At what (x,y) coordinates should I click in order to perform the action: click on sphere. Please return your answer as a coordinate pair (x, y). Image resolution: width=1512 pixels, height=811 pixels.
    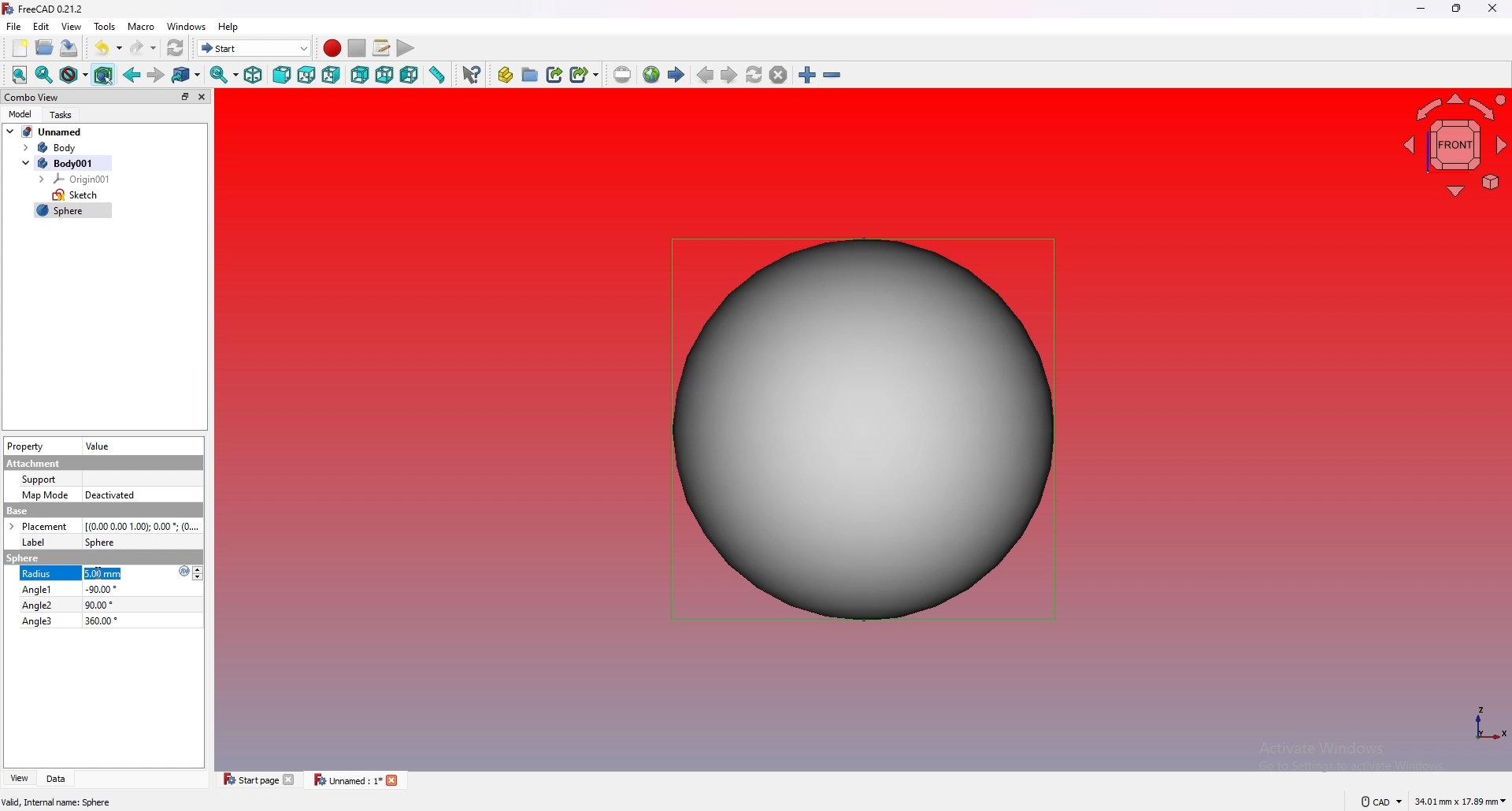
    Looking at the image, I should click on (863, 430).